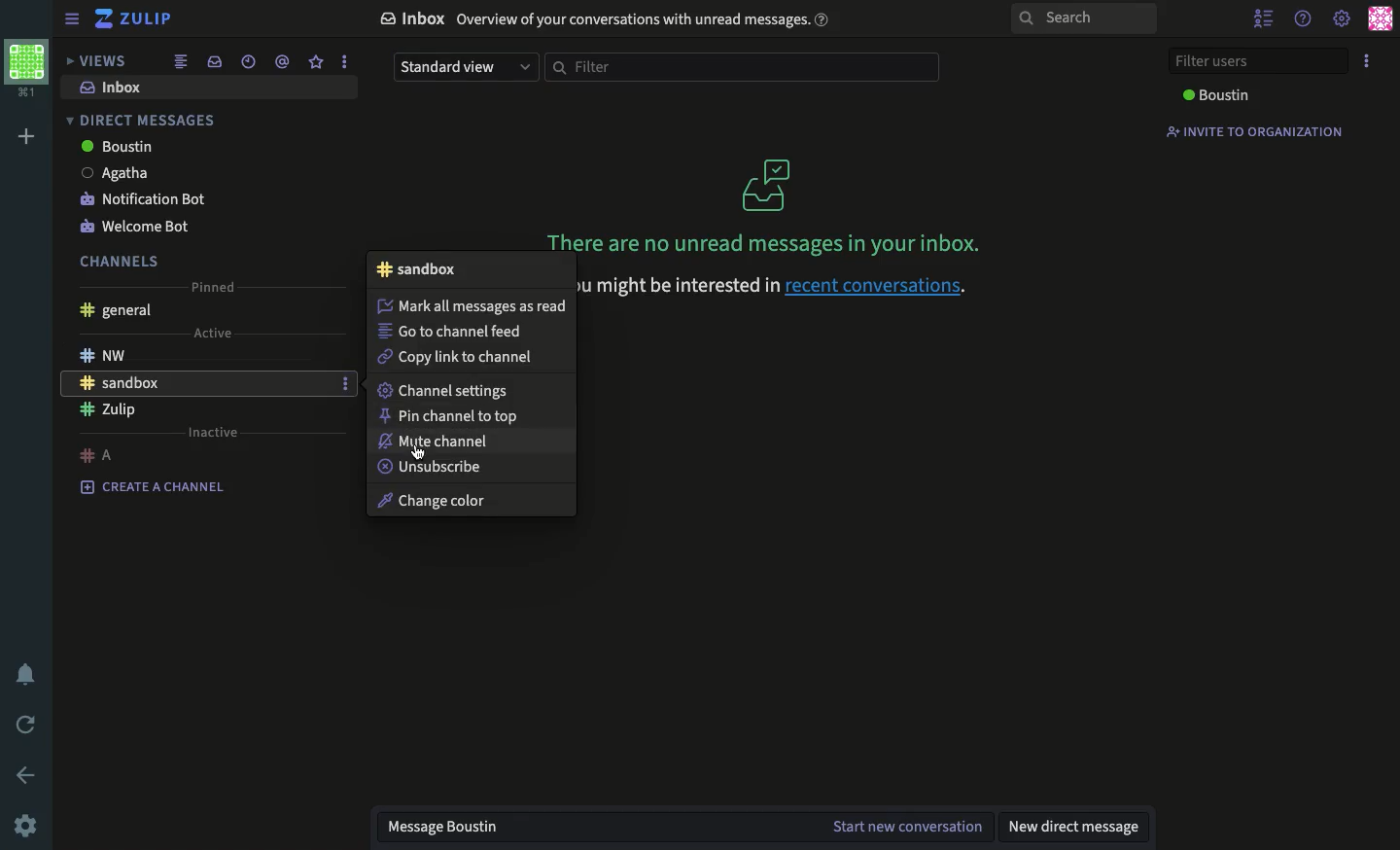 This screenshot has height=850, width=1400. Describe the element at coordinates (183, 62) in the screenshot. I see `combined feed` at that location.